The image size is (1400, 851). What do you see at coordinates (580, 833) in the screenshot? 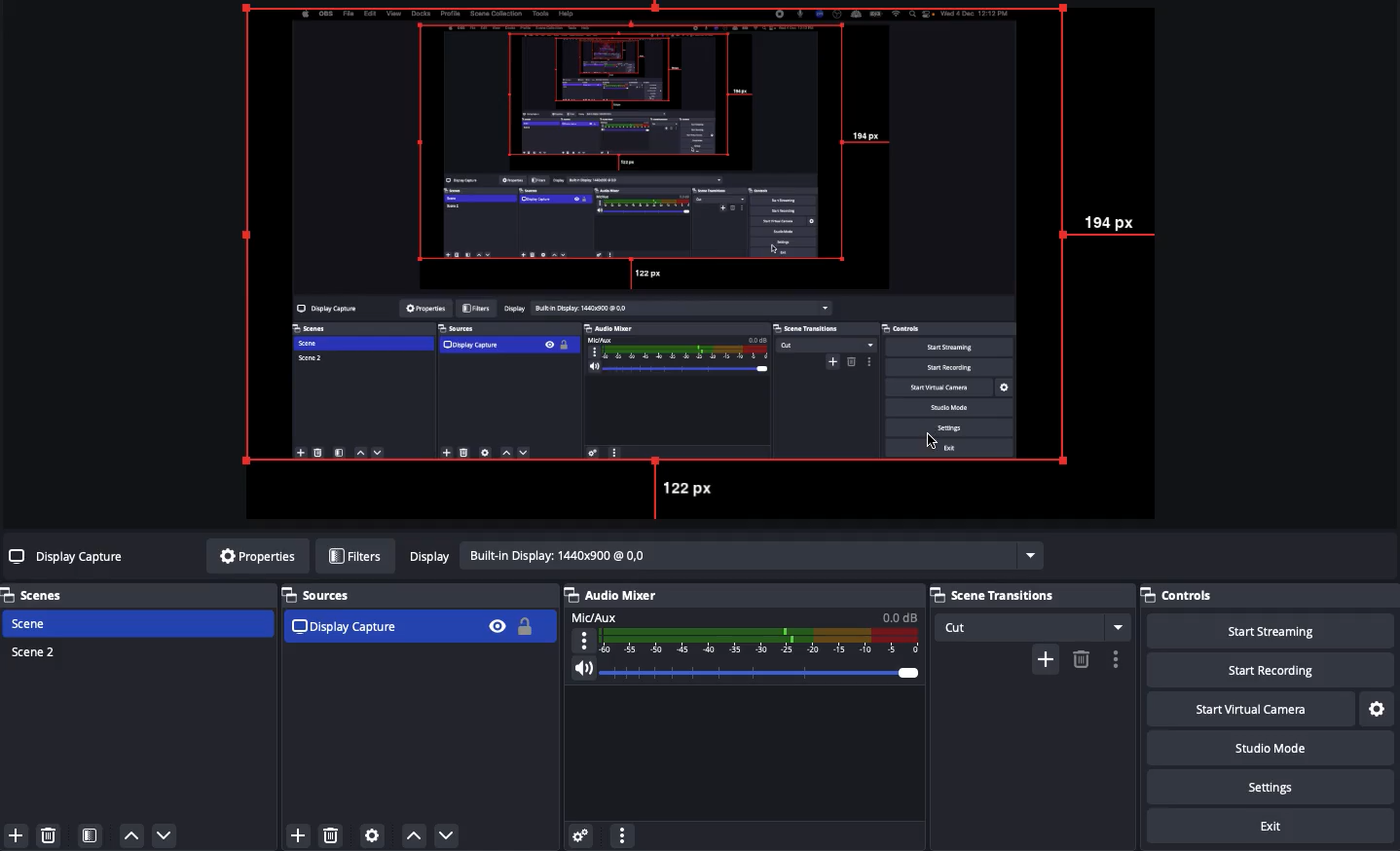
I see `Advanced audio menu` at bounding box center [580, 833].